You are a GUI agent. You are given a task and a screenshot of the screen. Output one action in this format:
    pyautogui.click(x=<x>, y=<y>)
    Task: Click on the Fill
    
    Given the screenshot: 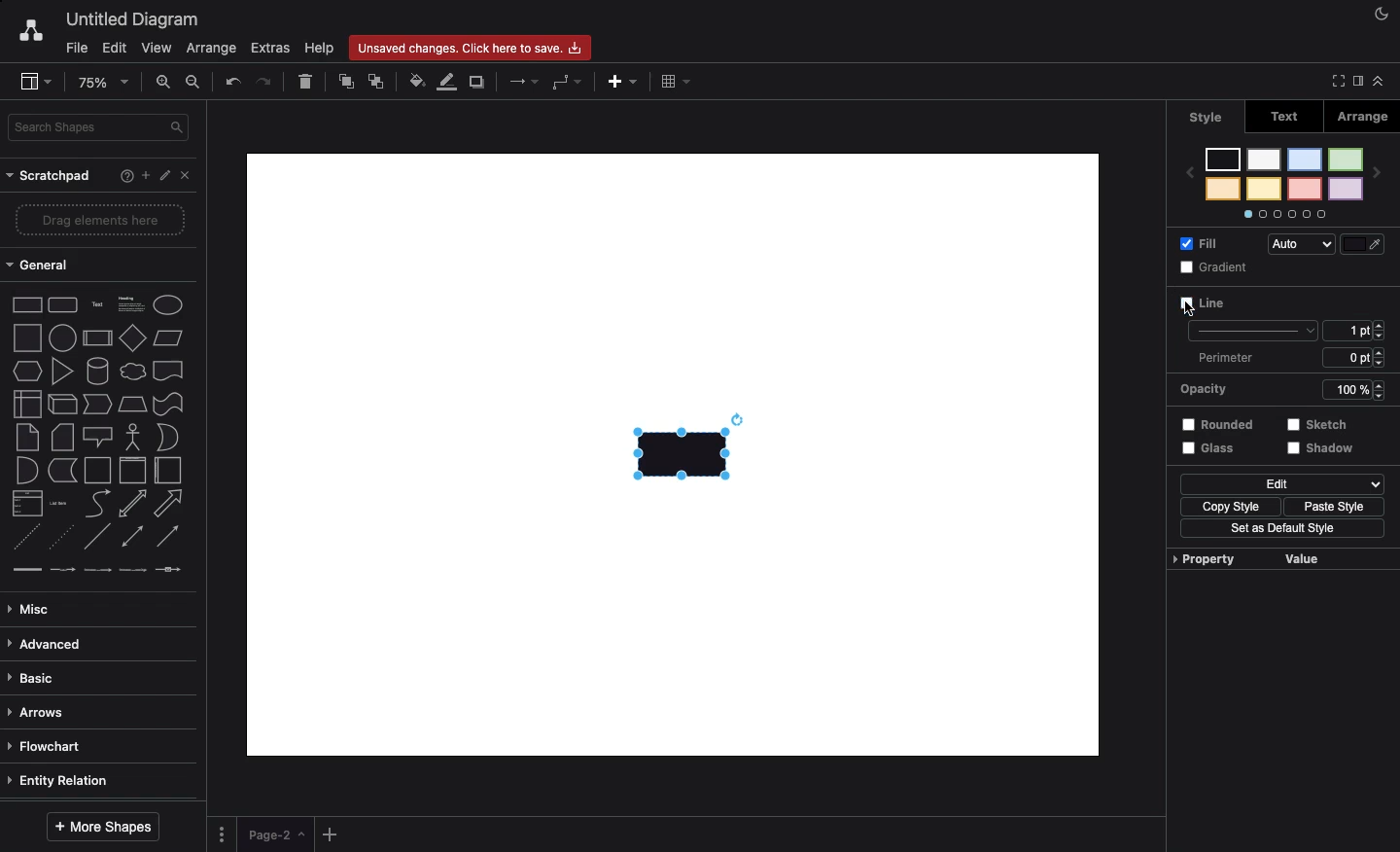 What is the action you would take?
    pyautogui.click(x=1366, y=243)
    